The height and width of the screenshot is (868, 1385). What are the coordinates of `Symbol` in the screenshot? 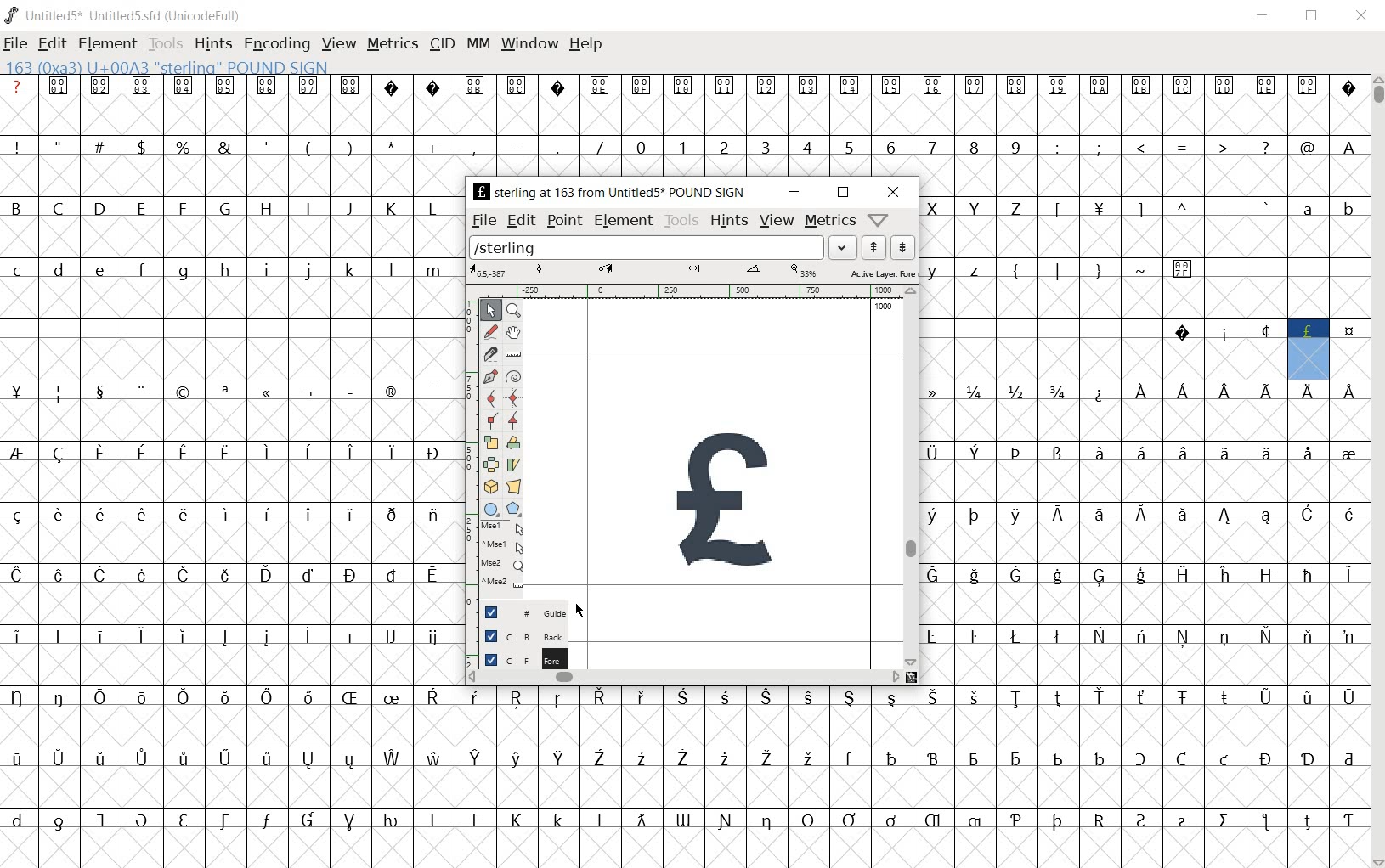 It's located at (1184, 637).